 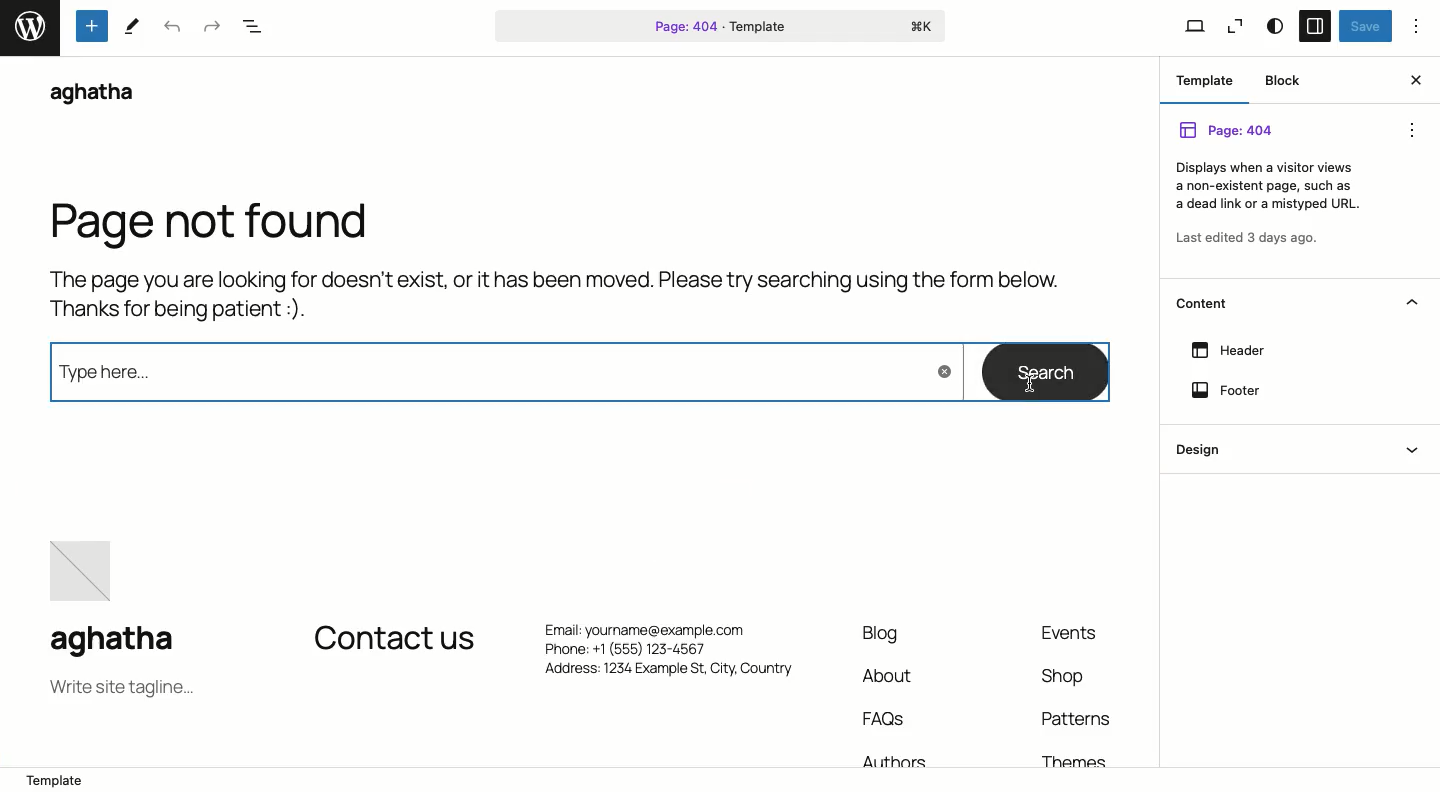 What do you see at coordinates (86, 573) in the screenshot?
I see `image placeholder` at bounding box center [86, 573].